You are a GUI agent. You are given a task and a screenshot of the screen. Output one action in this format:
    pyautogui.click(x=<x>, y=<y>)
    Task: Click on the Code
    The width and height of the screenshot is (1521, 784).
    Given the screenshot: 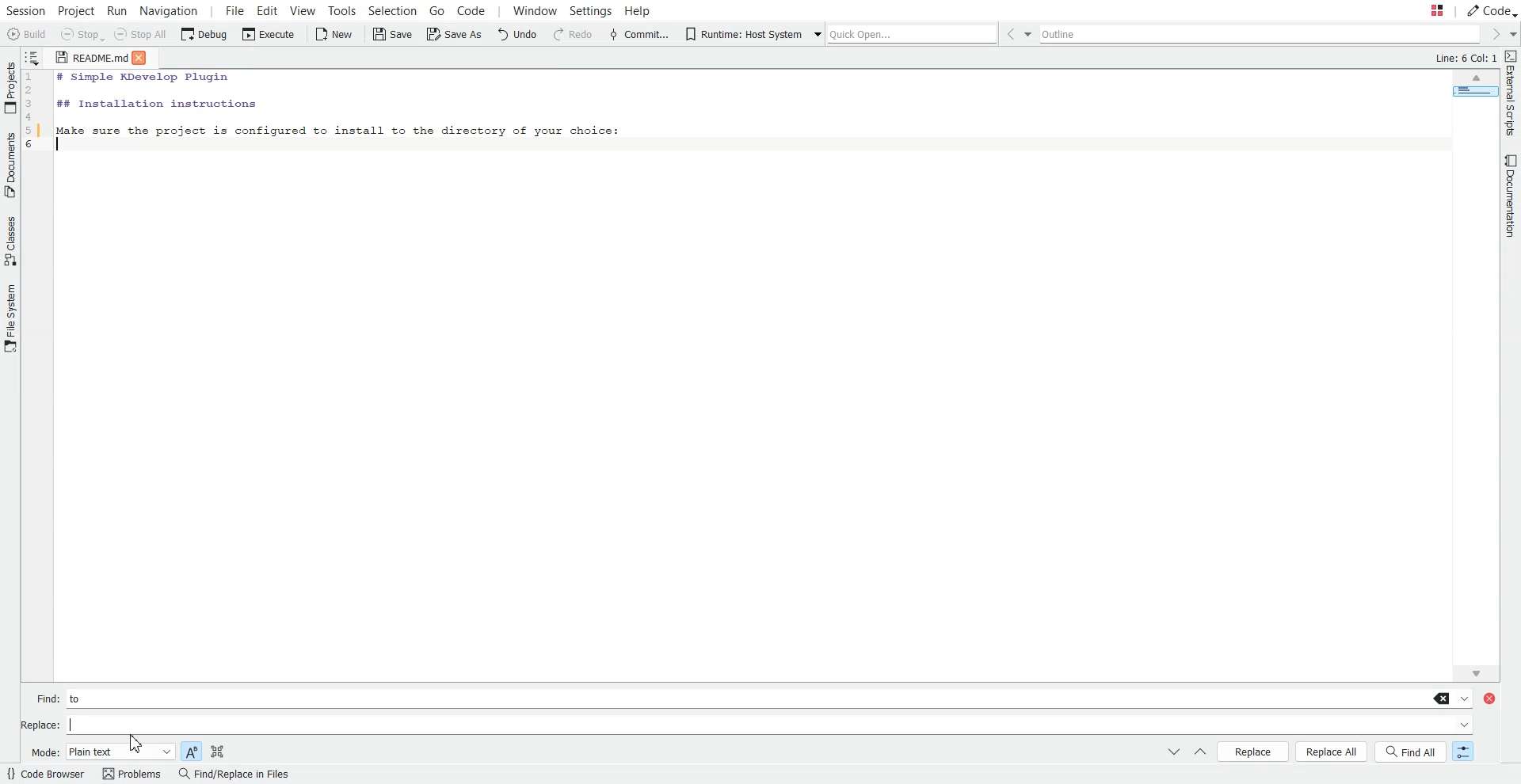 What is the action you would take?
    pyautogui.click(x=480, y=11)
    